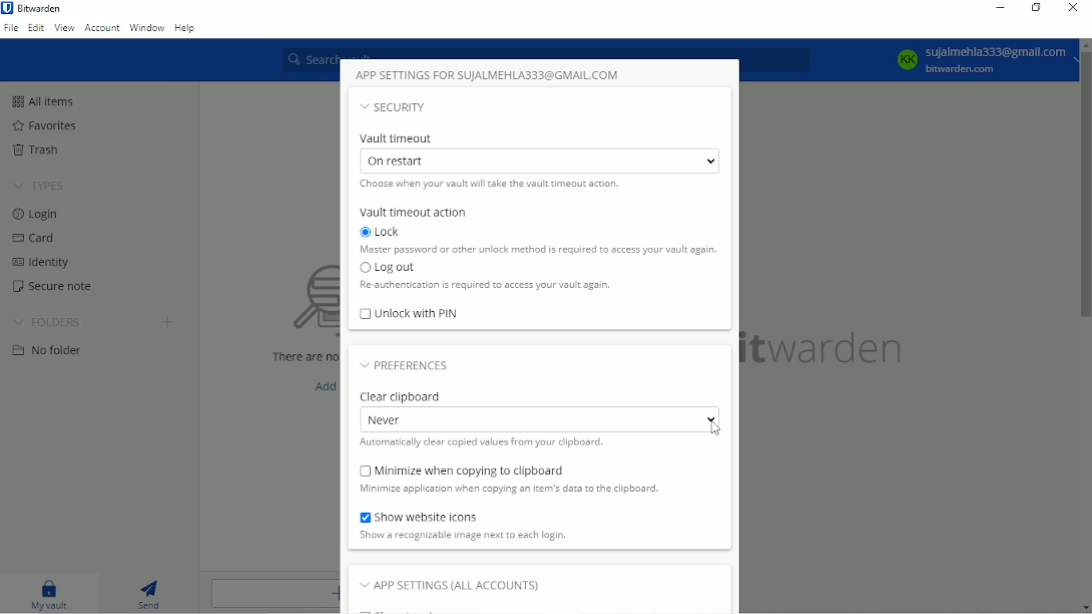 This screenshot has height=614, width=1092. What do you see at coordinates (49, 321) in the screenshot?
I see `Folders` at bounding box center [49, 321].